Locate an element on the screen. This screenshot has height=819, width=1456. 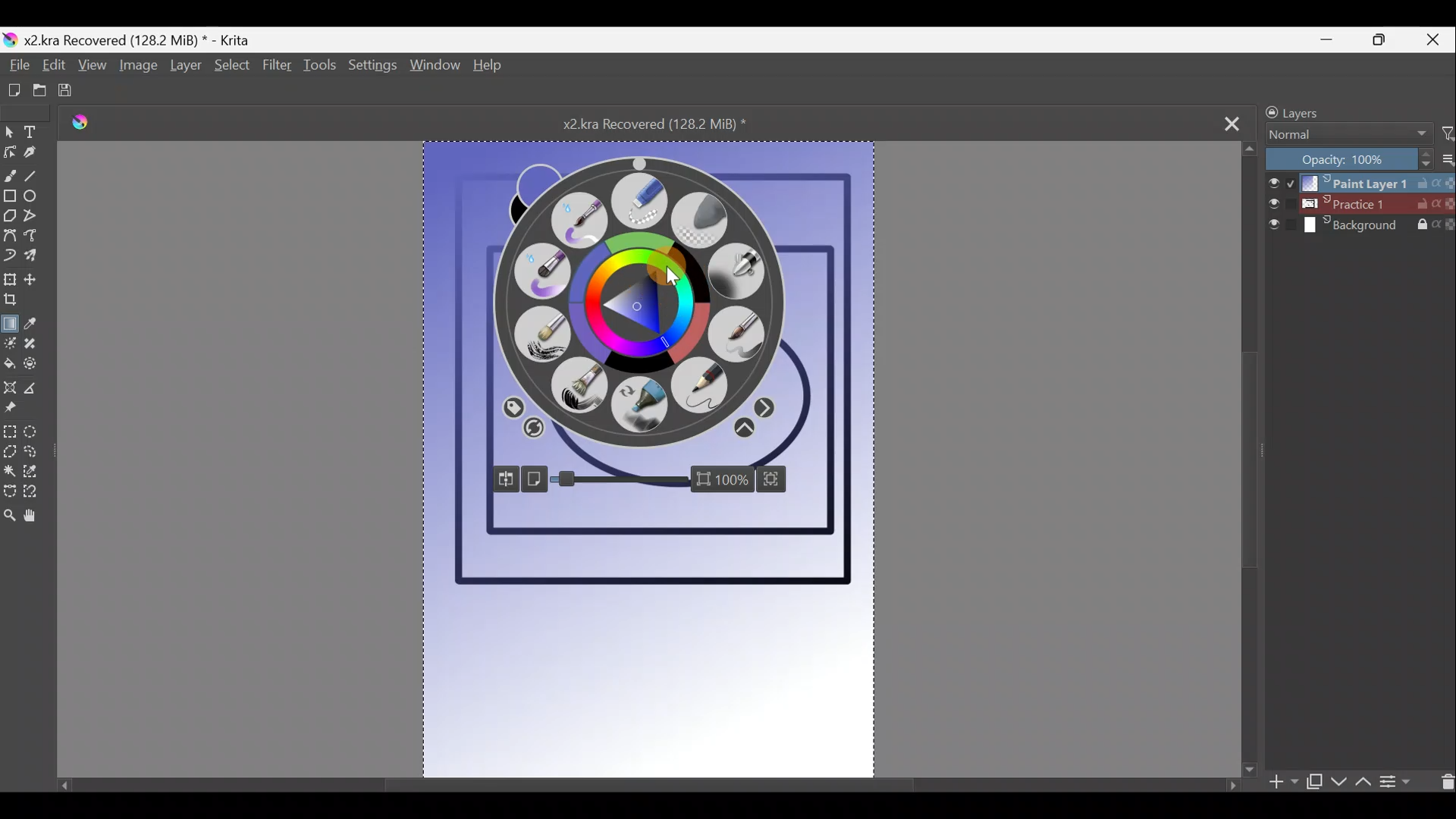
Zoom is located at coordinates (652, 479).